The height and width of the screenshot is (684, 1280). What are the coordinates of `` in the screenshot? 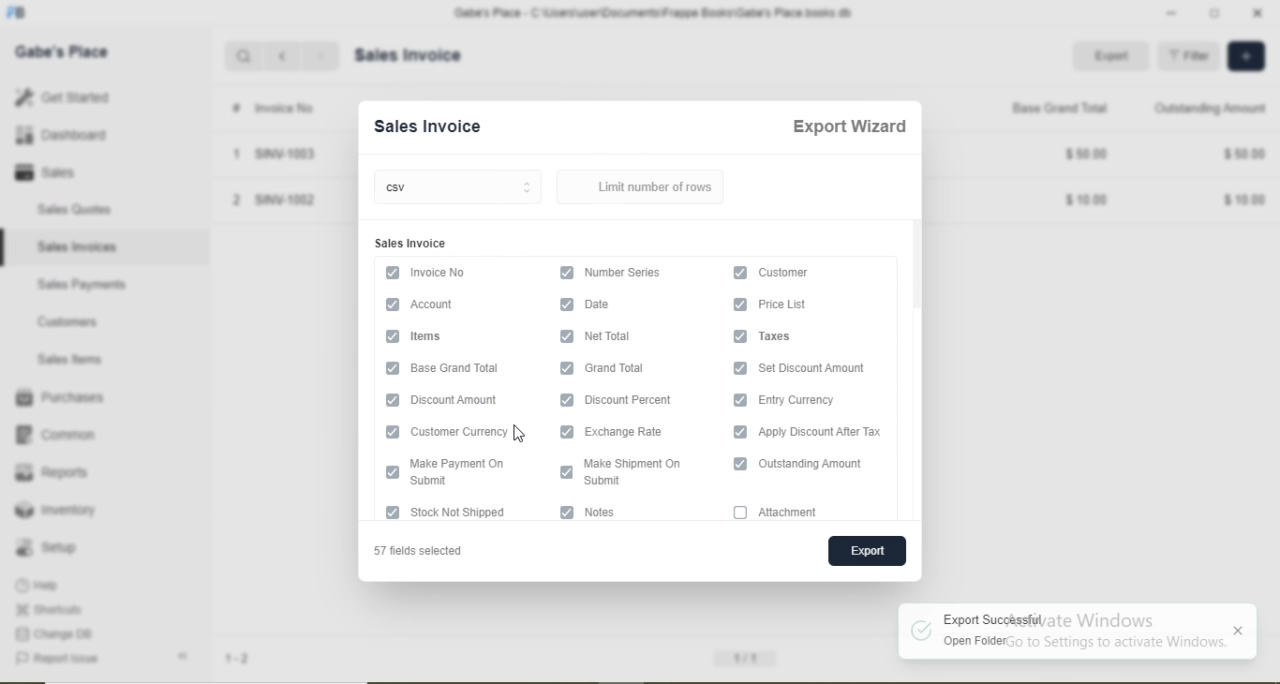 It's located at (618, 305).